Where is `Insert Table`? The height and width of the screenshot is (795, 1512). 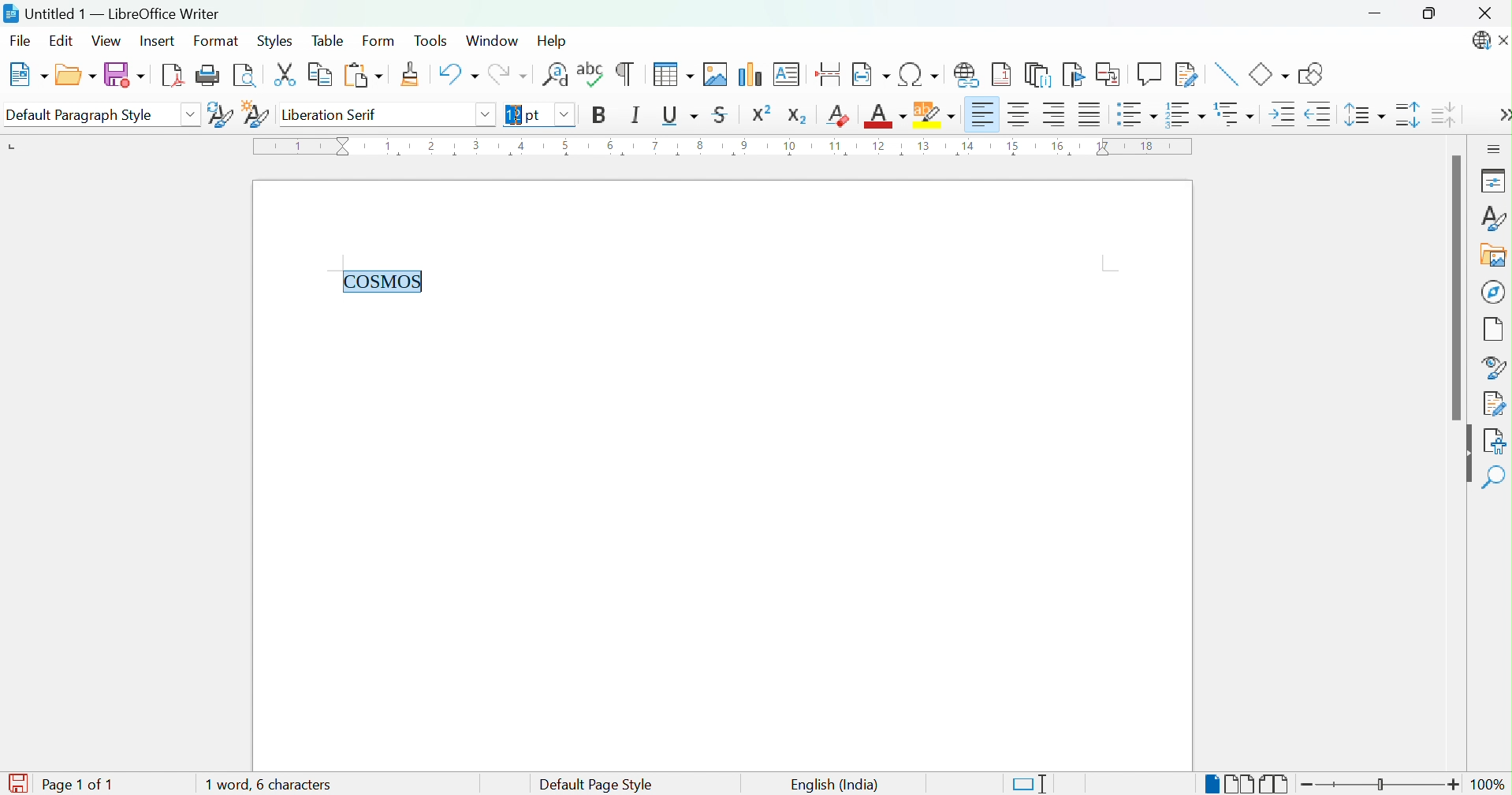 Insert Table is located at coordinates (669, 74).